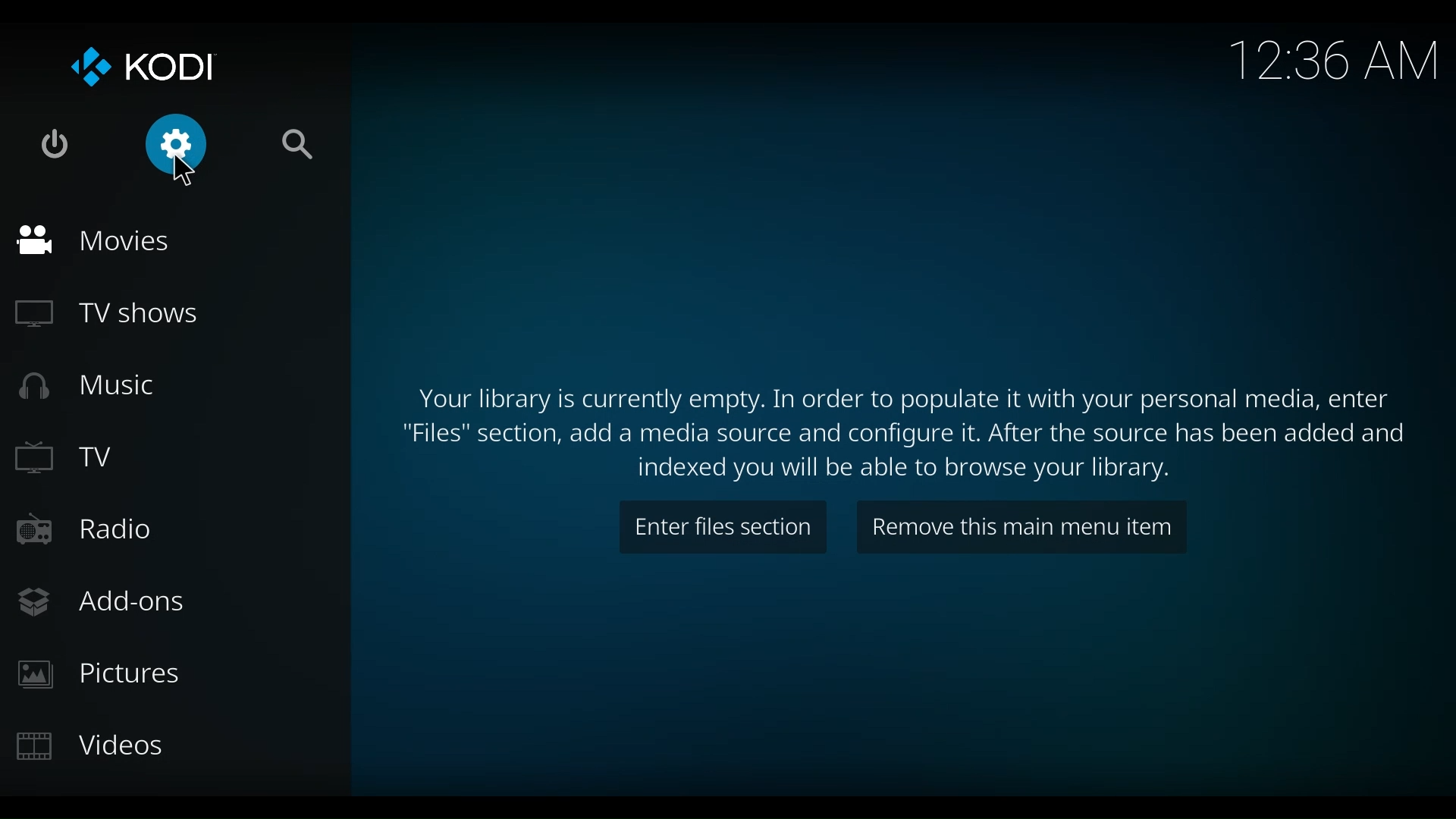  Describe the element at coordinates (899, 400) in the screenshot. I see `Your library is currently empty. In order to populate it with your personal media, enter` at that location.